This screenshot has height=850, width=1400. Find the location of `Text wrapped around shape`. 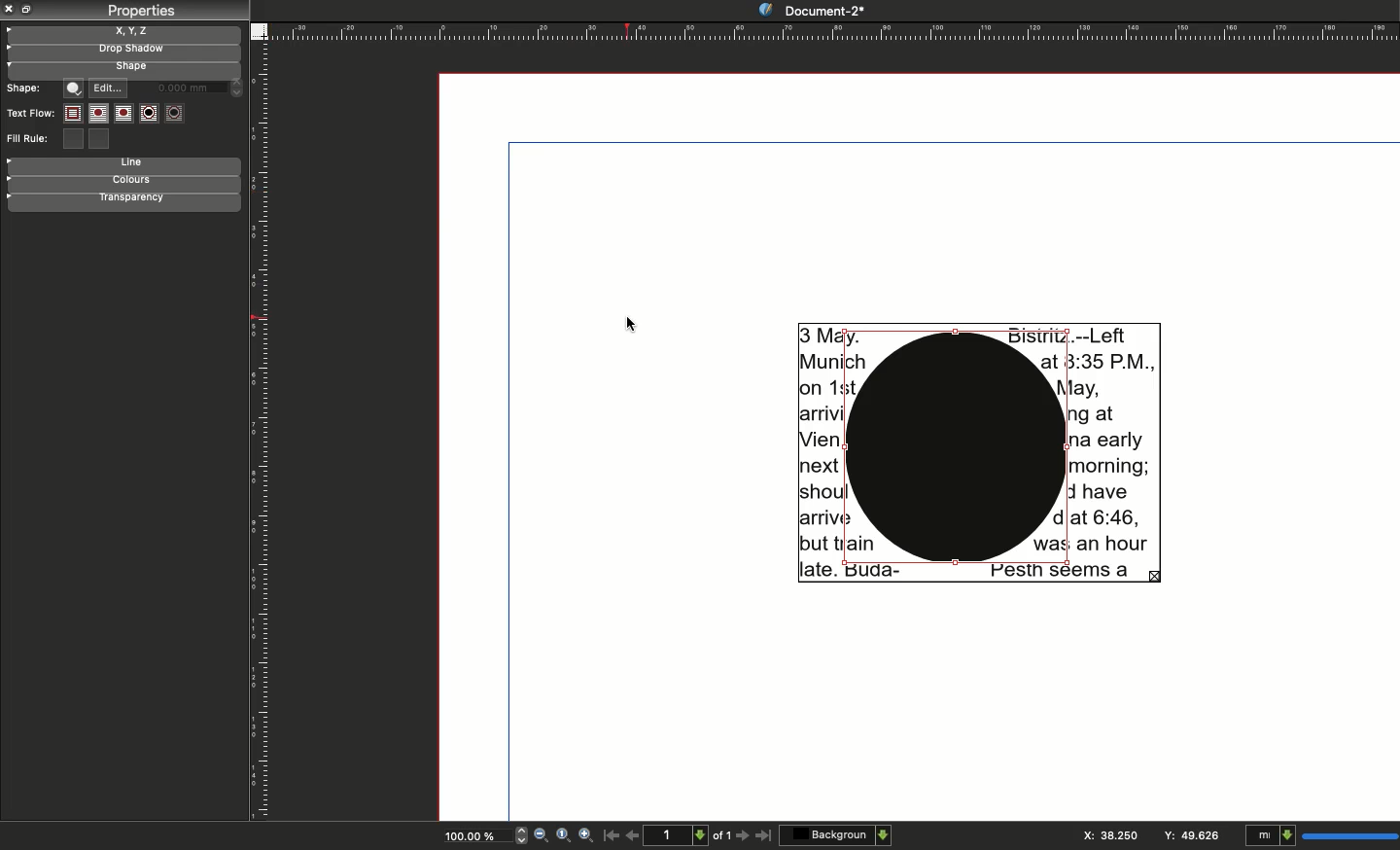

Text wrapped around shape is located at coordinates (980, 450).